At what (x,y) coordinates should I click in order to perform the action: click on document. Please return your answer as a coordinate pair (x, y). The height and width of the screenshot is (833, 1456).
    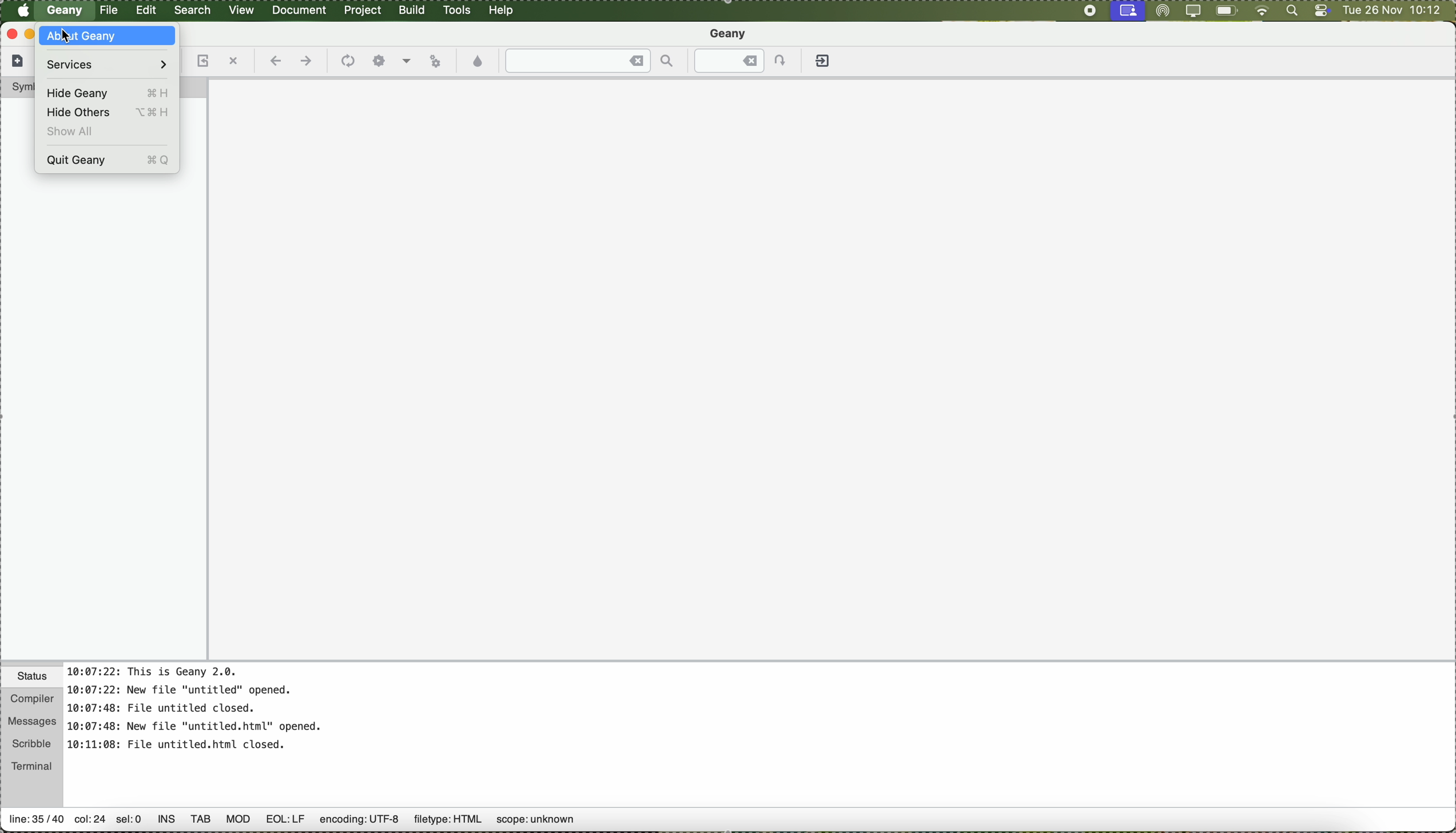
    Looking at the image, I should click on (303, 11).